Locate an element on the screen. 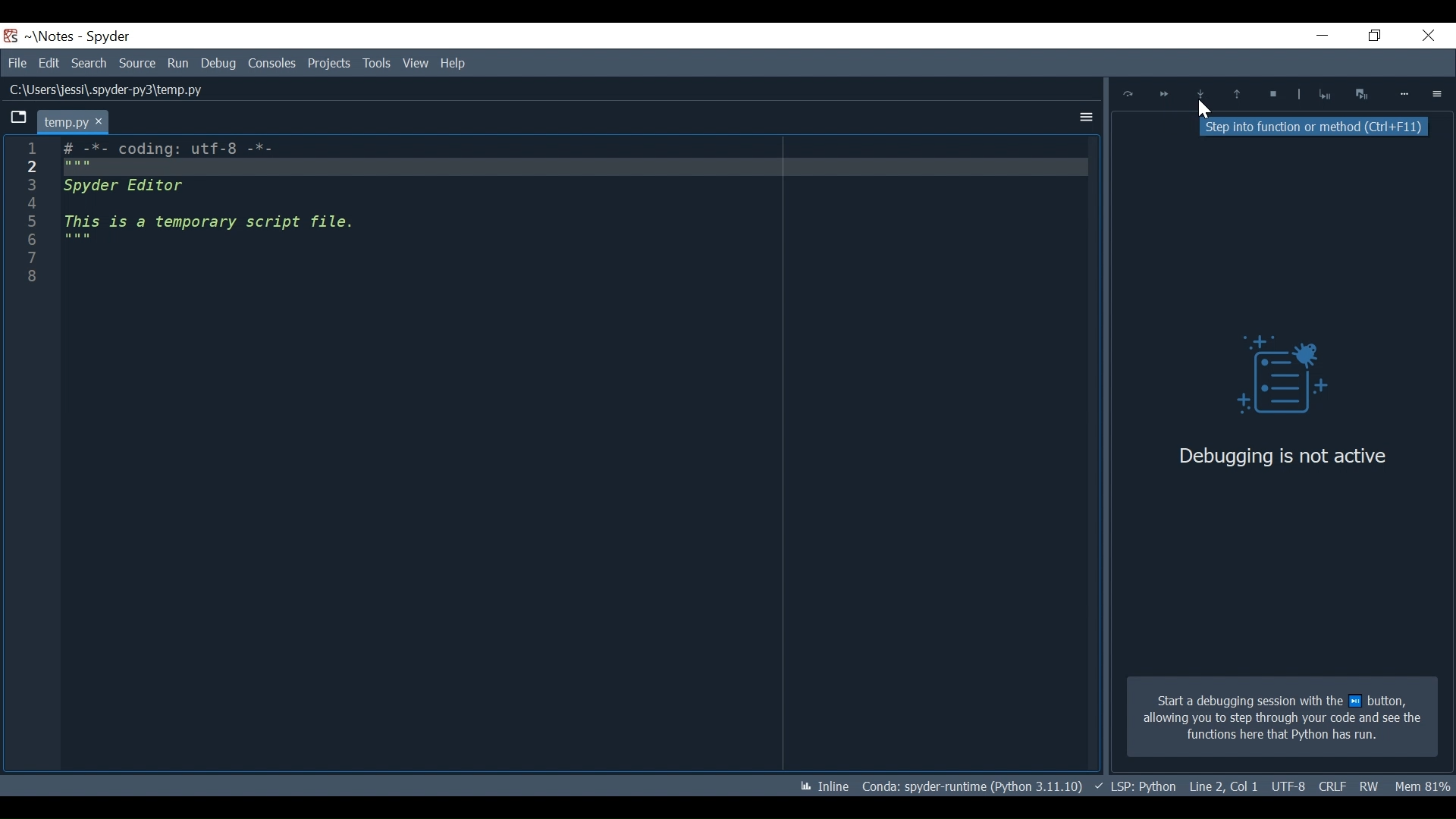 This screenshot has height=819, width=1456. Options is located at coordinates (1438, 93).